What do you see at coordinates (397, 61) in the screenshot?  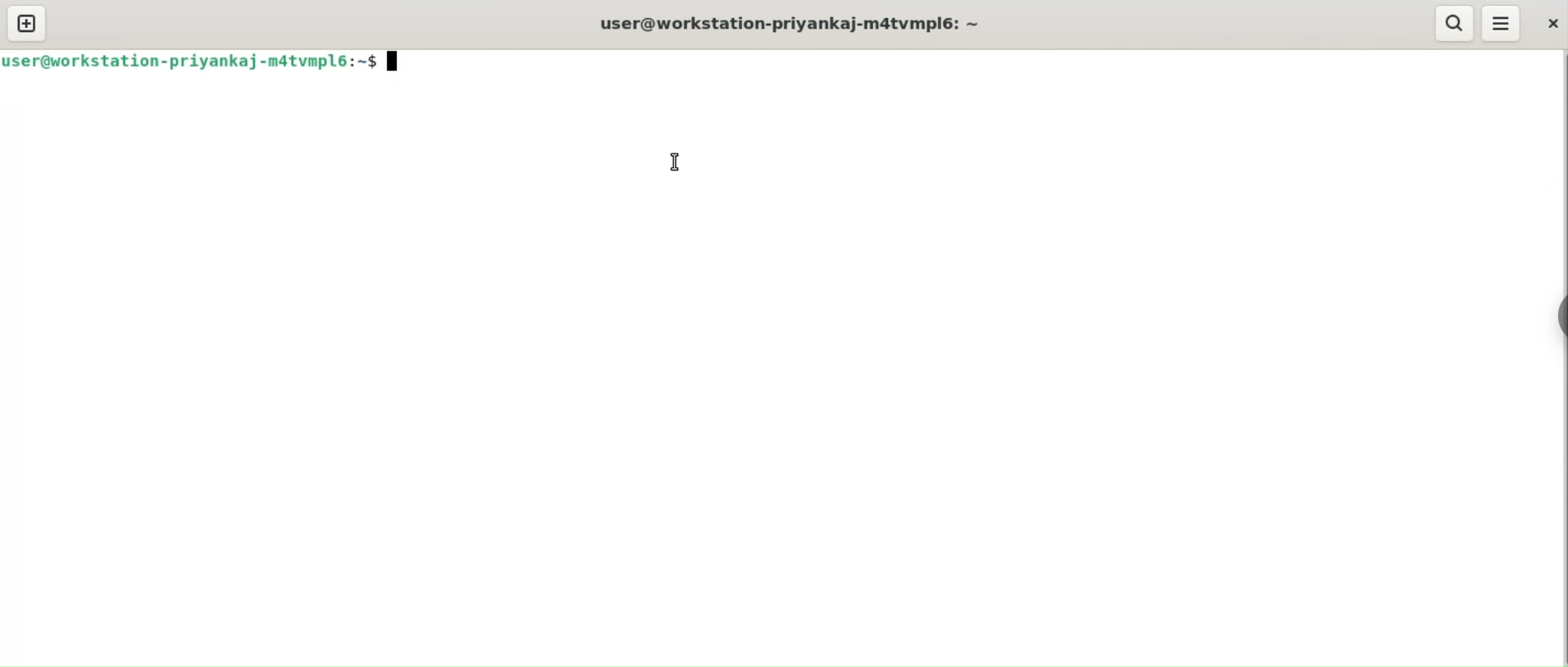 I see `Terminal cursor` at bounding box center [397, 61].